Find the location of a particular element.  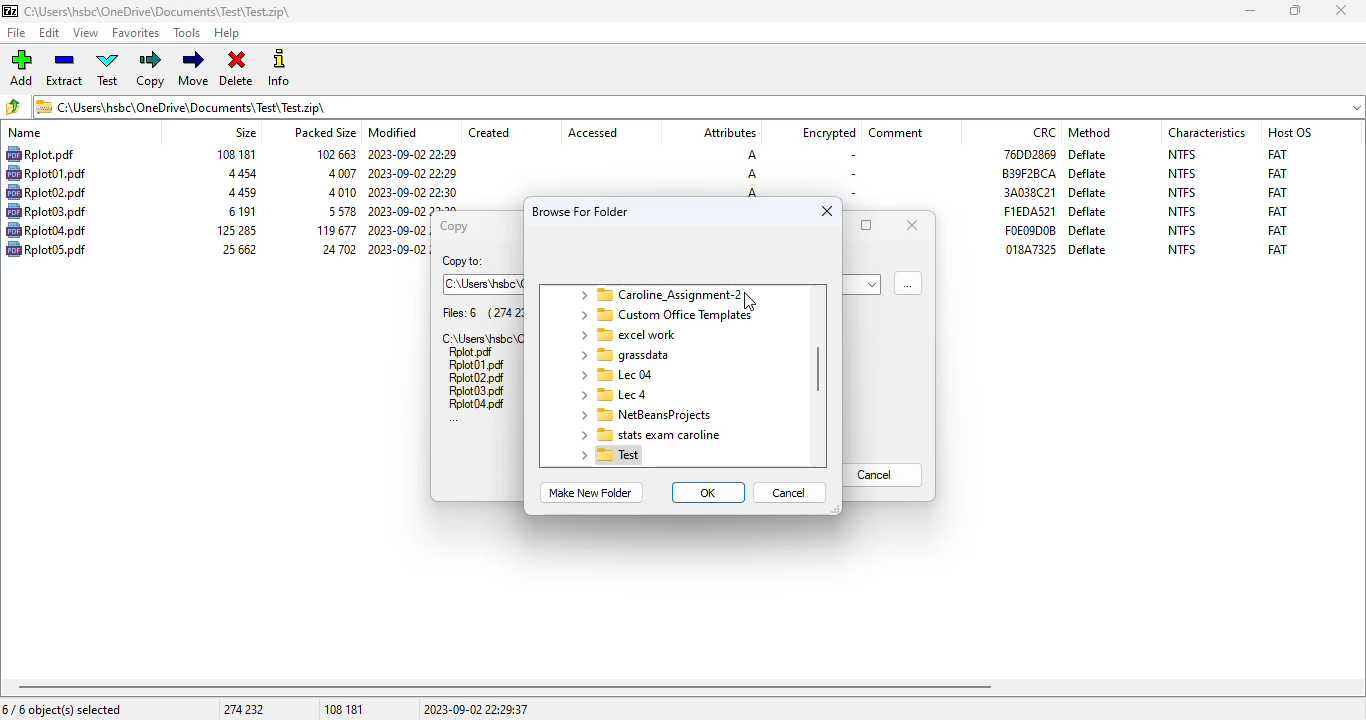

files: 6 (274 232 bytes) is located at coordinates (482, 313).